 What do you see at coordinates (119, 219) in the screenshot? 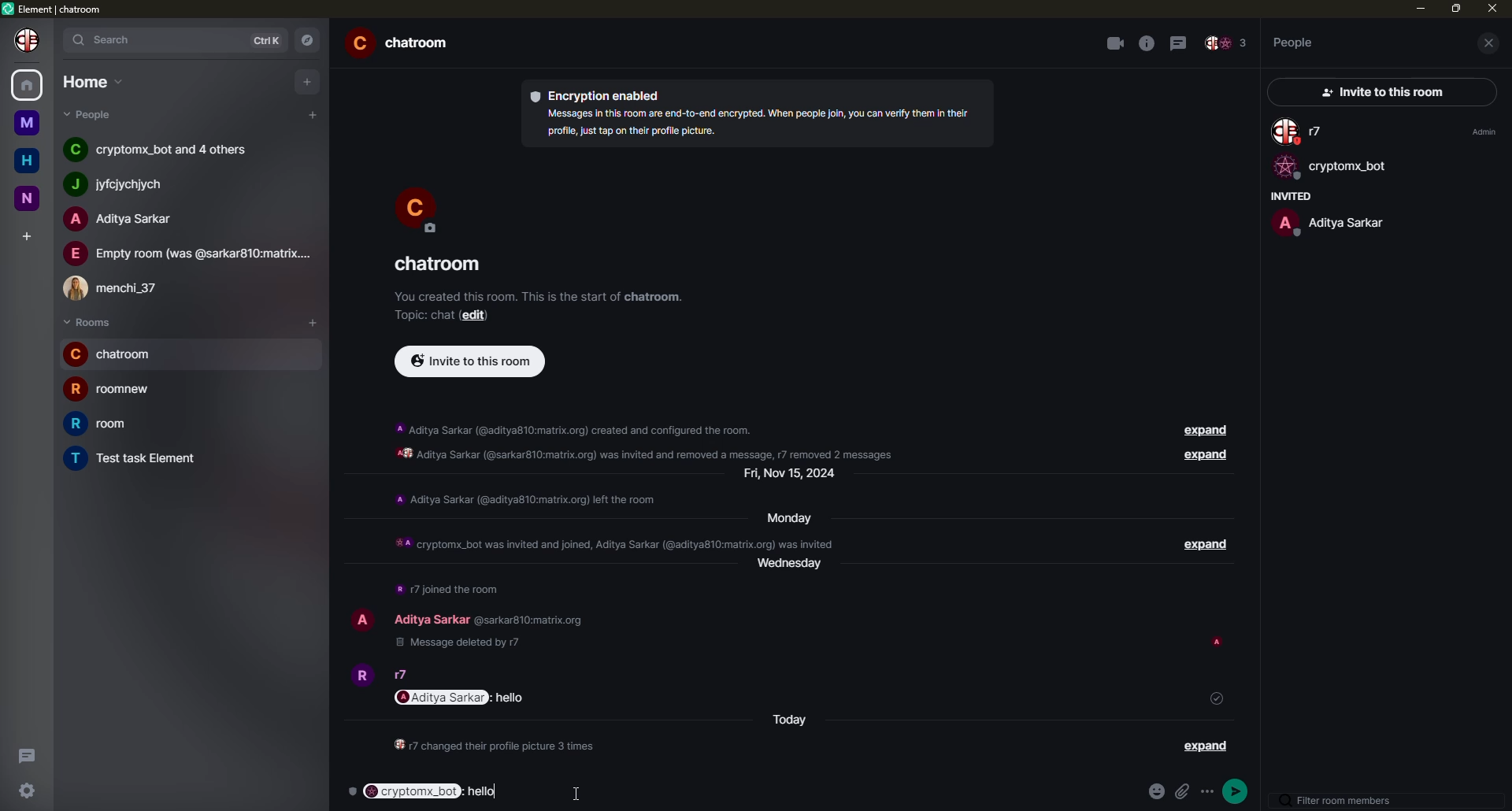
I see `people` at bounding box center [119, 219].